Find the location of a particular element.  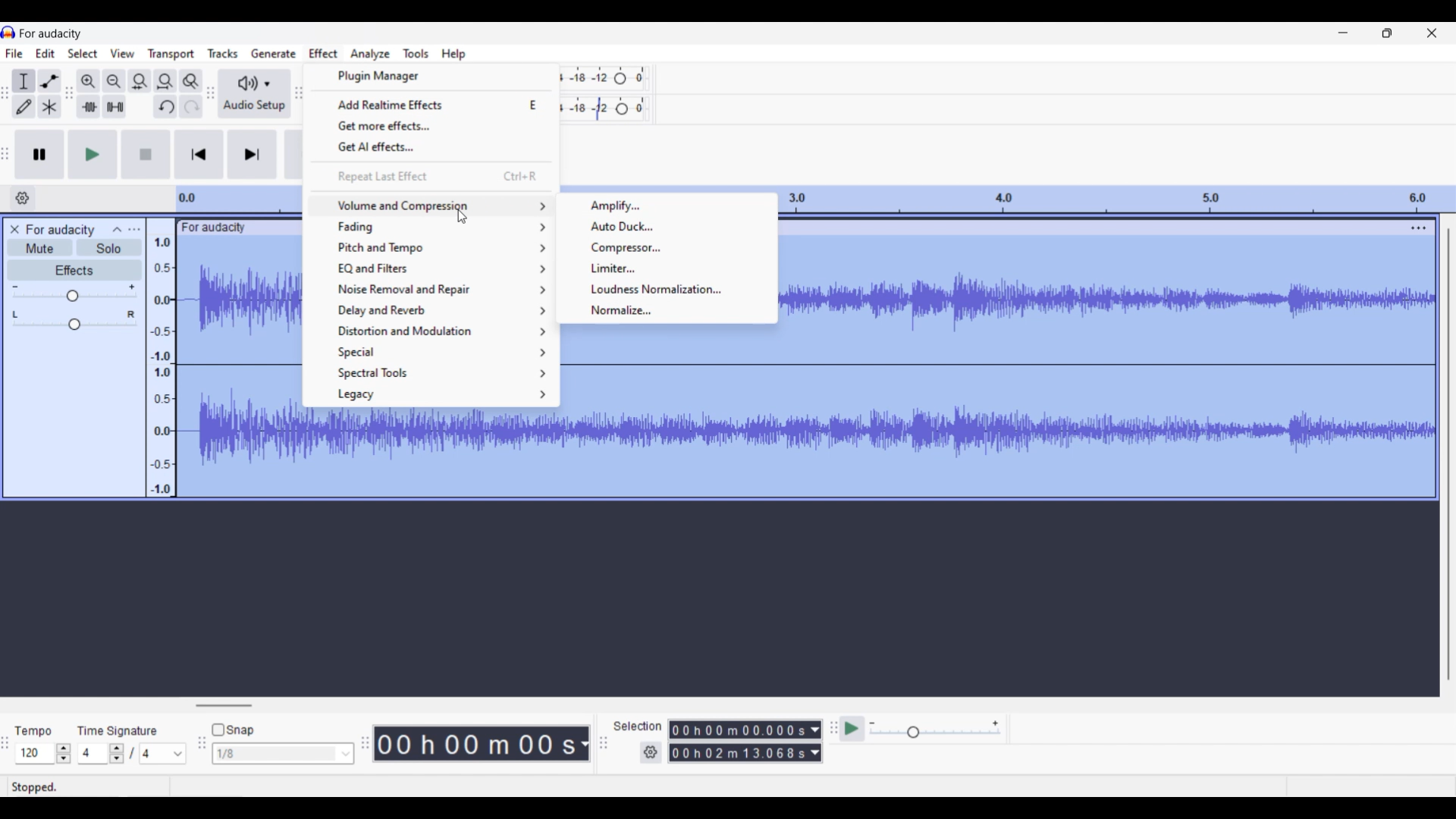

Tools menu is located at coordinates (416, 52).